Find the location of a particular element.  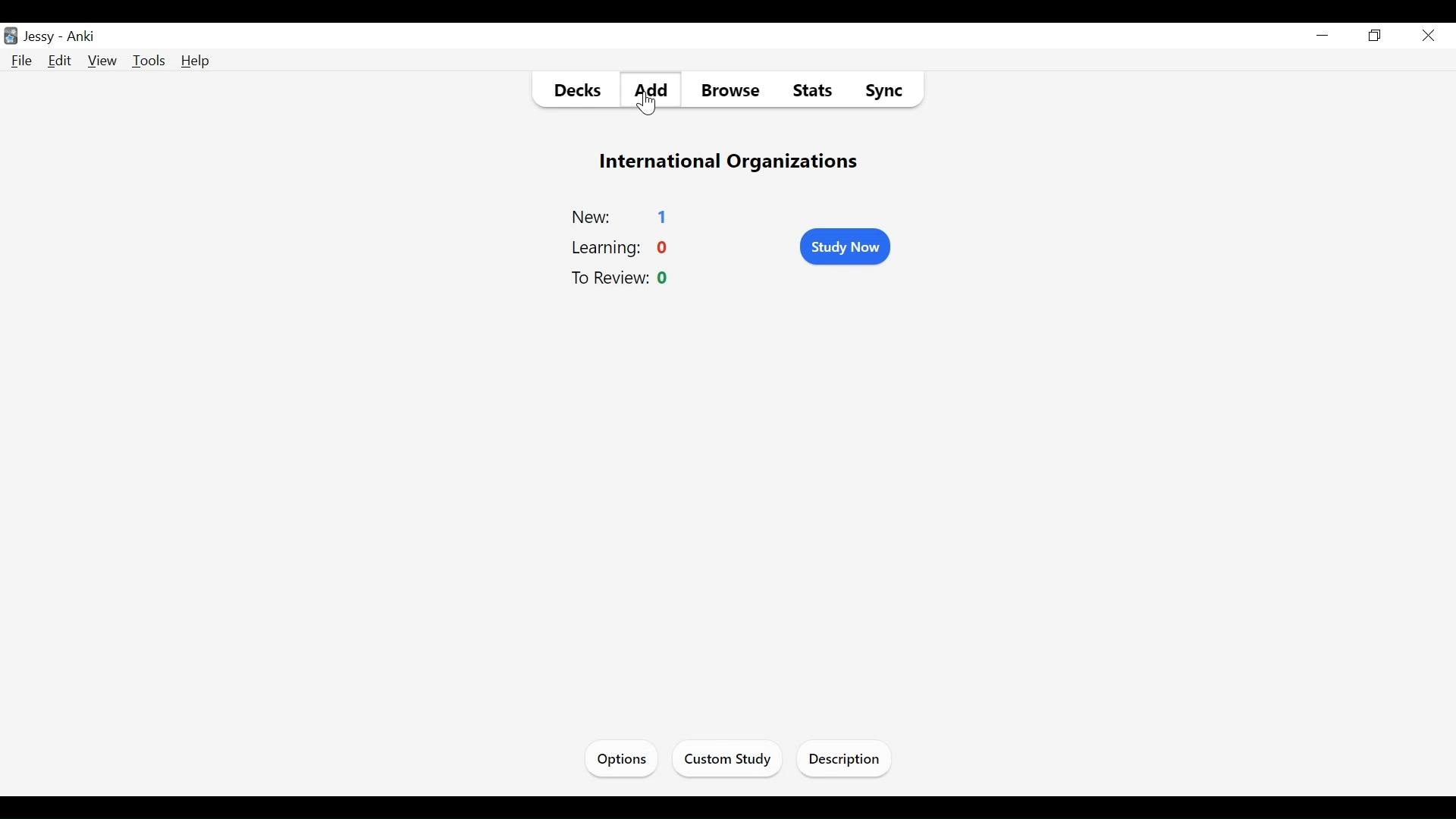

International Orgnizations is located at coordinates (732, 162).